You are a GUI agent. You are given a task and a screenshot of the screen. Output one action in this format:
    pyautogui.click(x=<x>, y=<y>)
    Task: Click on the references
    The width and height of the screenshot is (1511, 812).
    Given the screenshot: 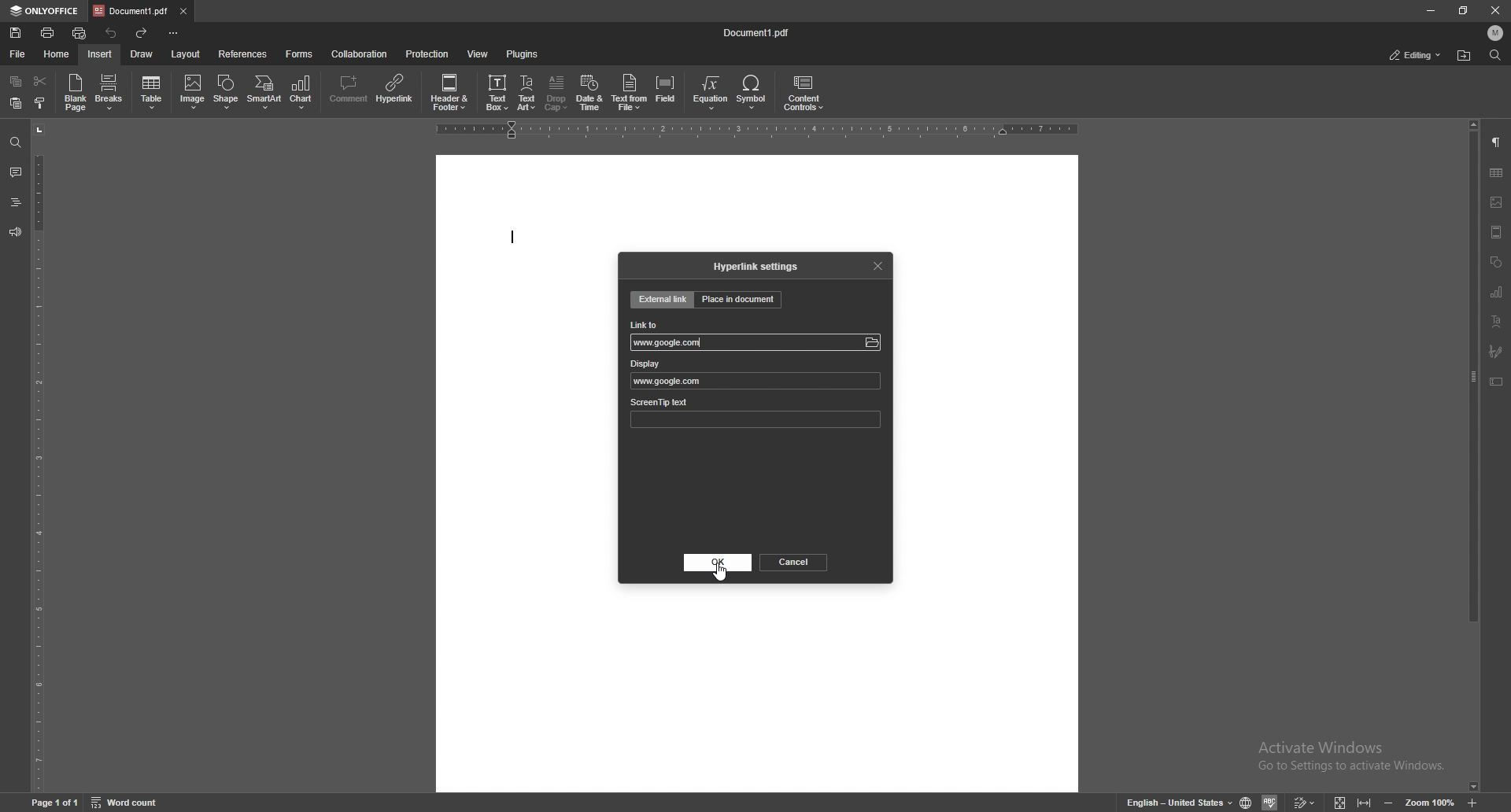 What is the action you would take?
    pyautogui.click(x=243, y=54)
    